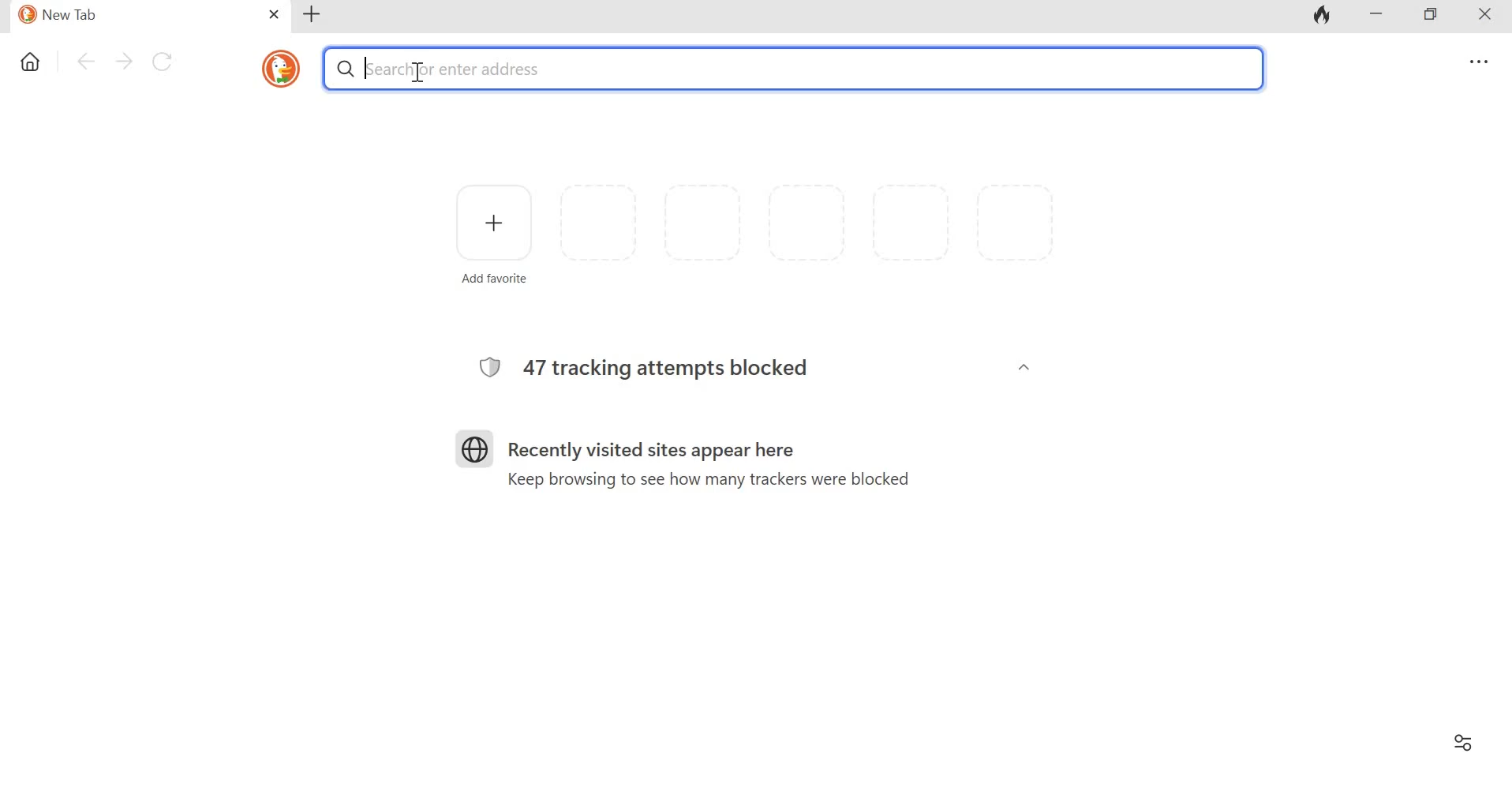 This screenshot has height=791, width=1512. Describe the element at coordinates (1480, 62) in the screenshot. I see `Overflow menu` at that location.